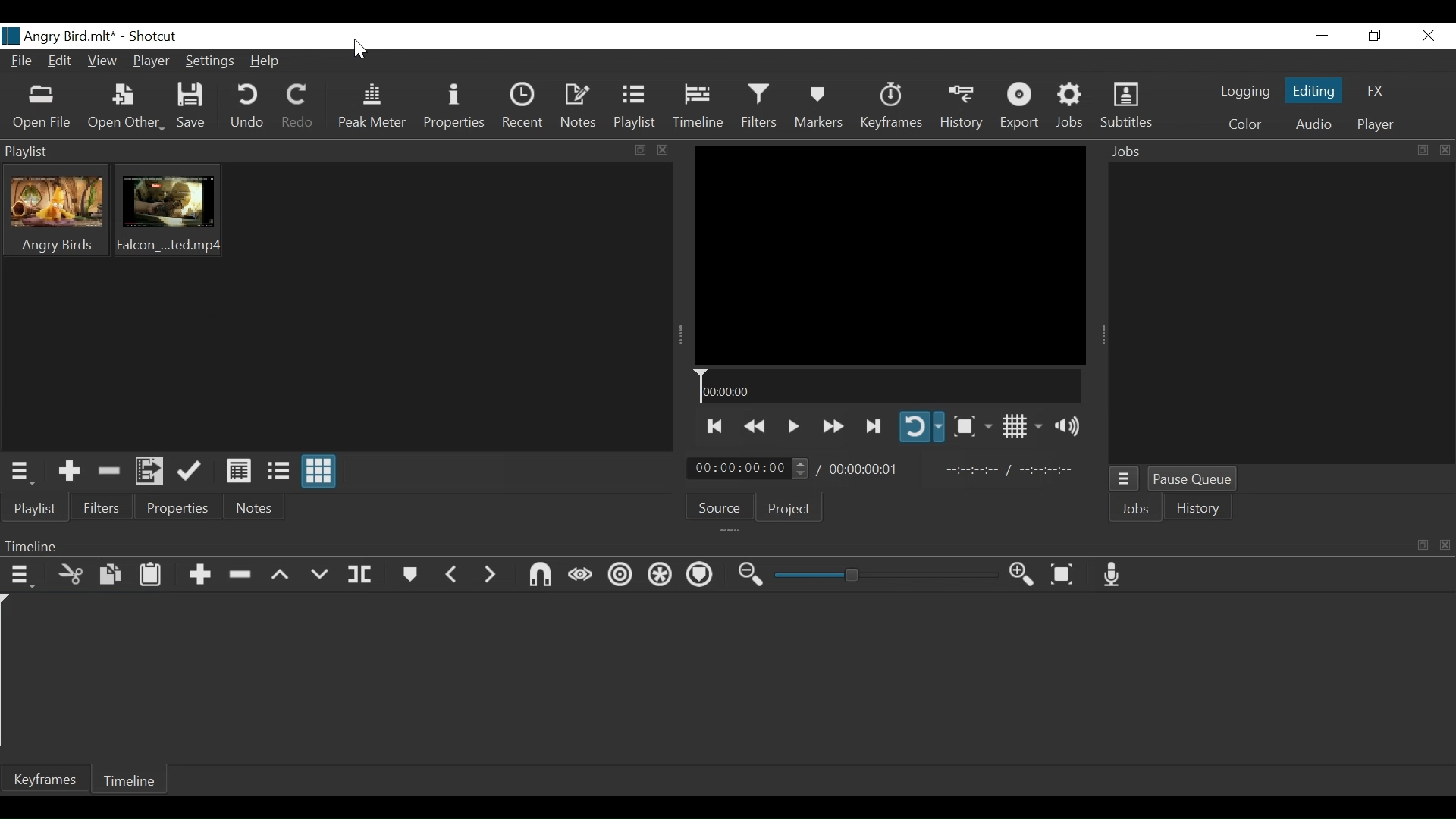  What do you see at coordinates (239, 576) in the screenshot?
I see `Ripple Delete` at bounding box center [239, 576].